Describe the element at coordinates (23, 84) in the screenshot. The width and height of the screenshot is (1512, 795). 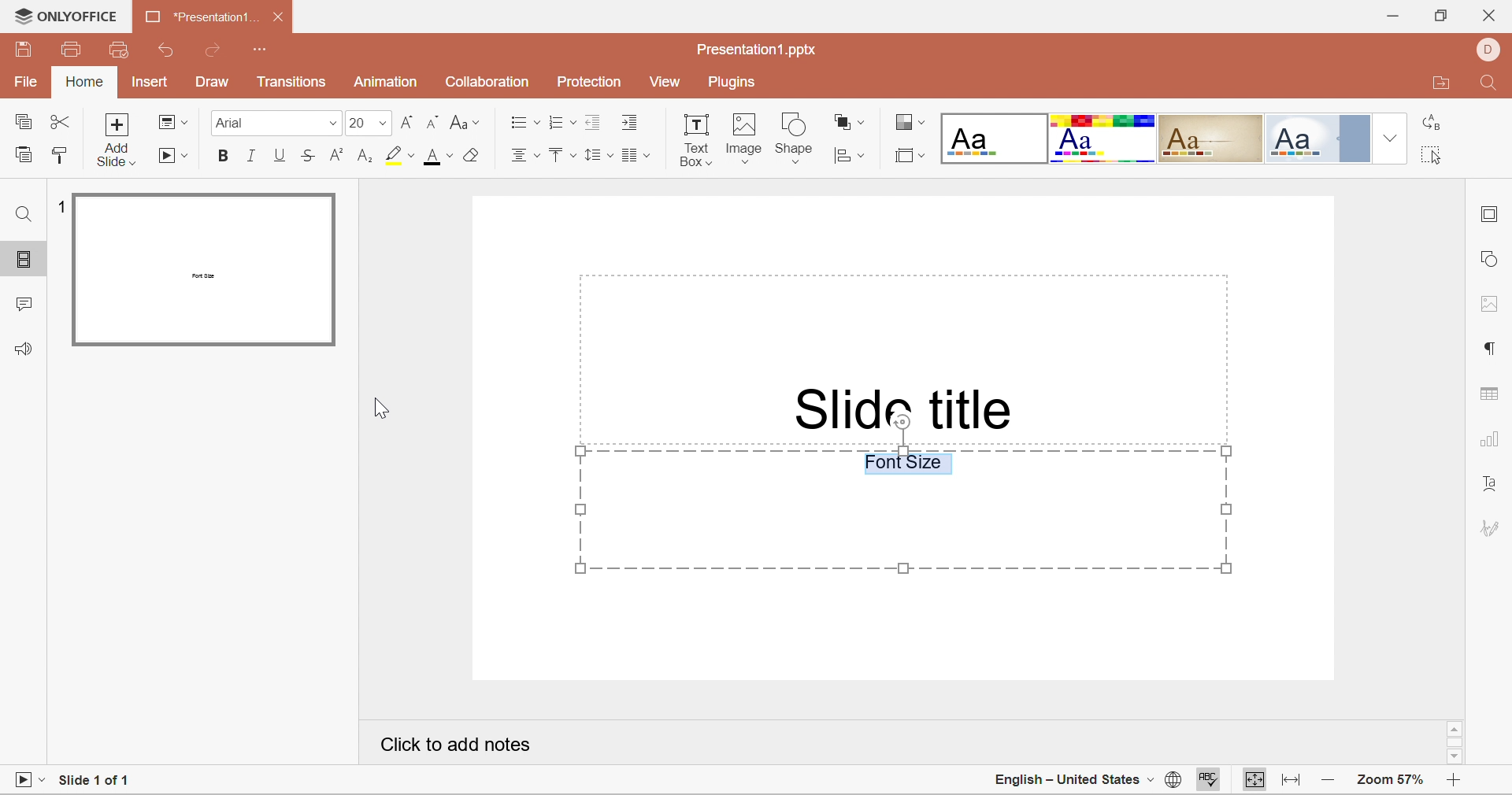
I see `File` at that location.